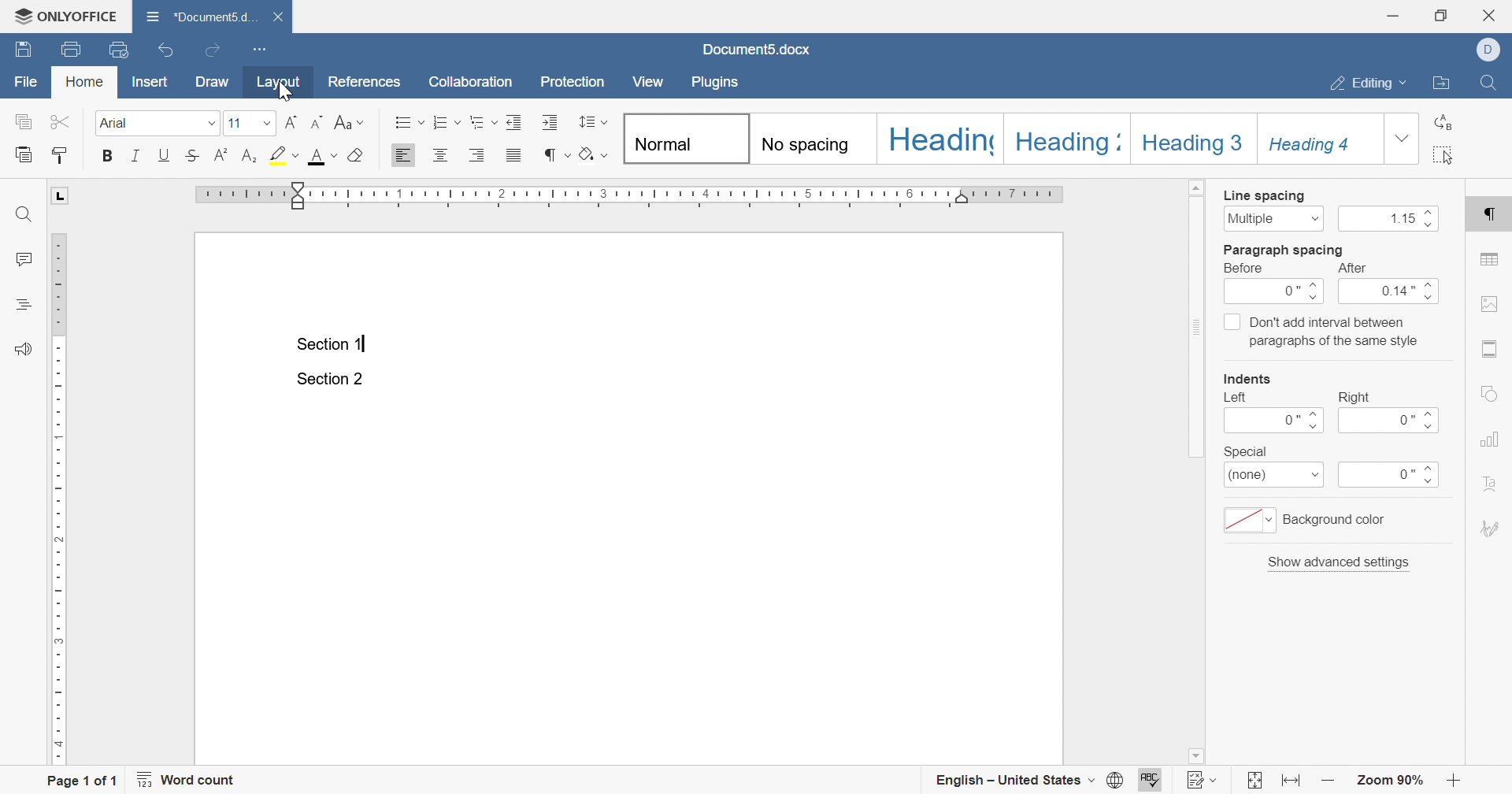  I want to click on right, so click(1354, 397).